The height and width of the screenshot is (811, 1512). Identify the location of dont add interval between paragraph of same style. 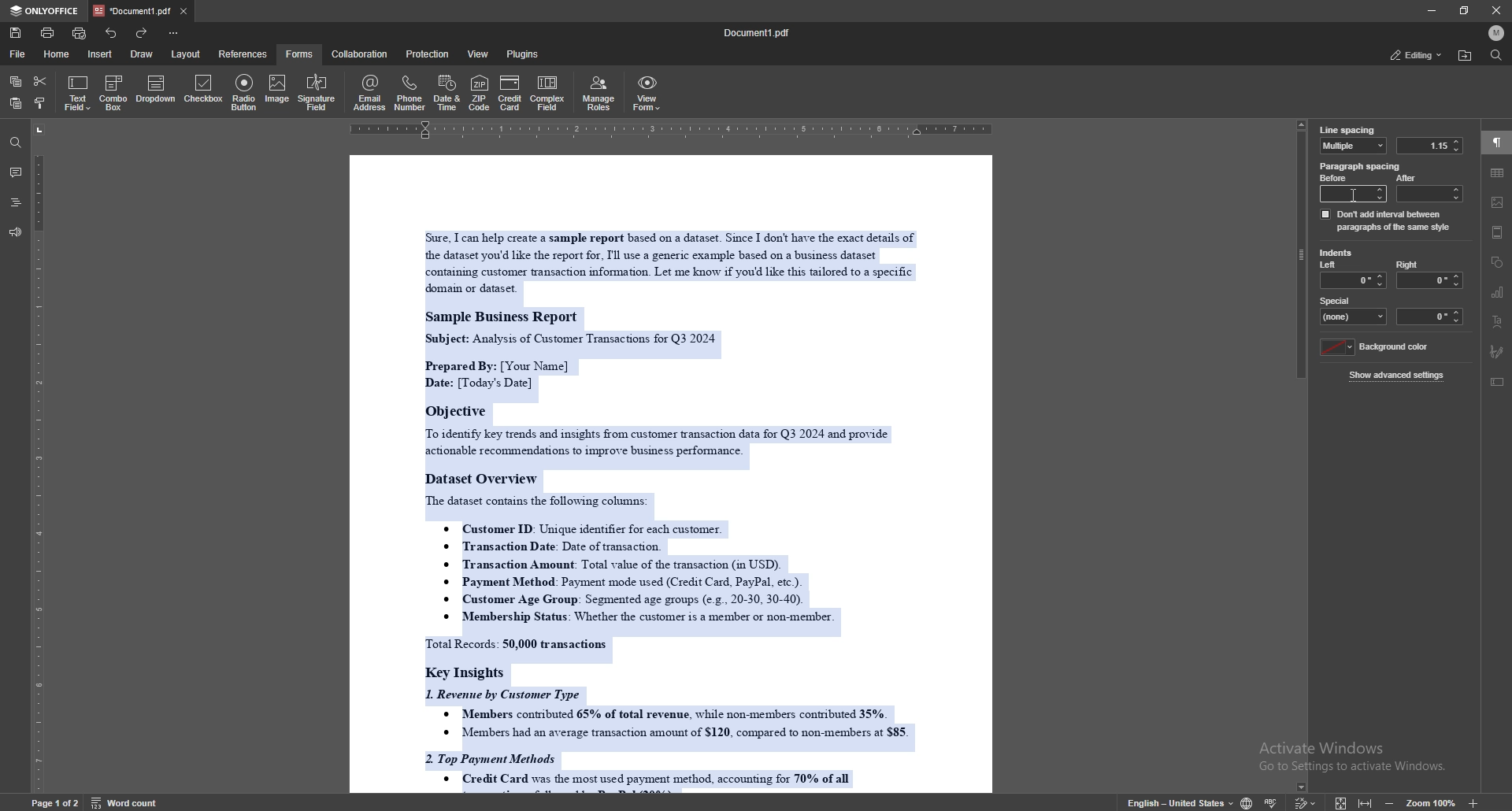
(1386, 220).